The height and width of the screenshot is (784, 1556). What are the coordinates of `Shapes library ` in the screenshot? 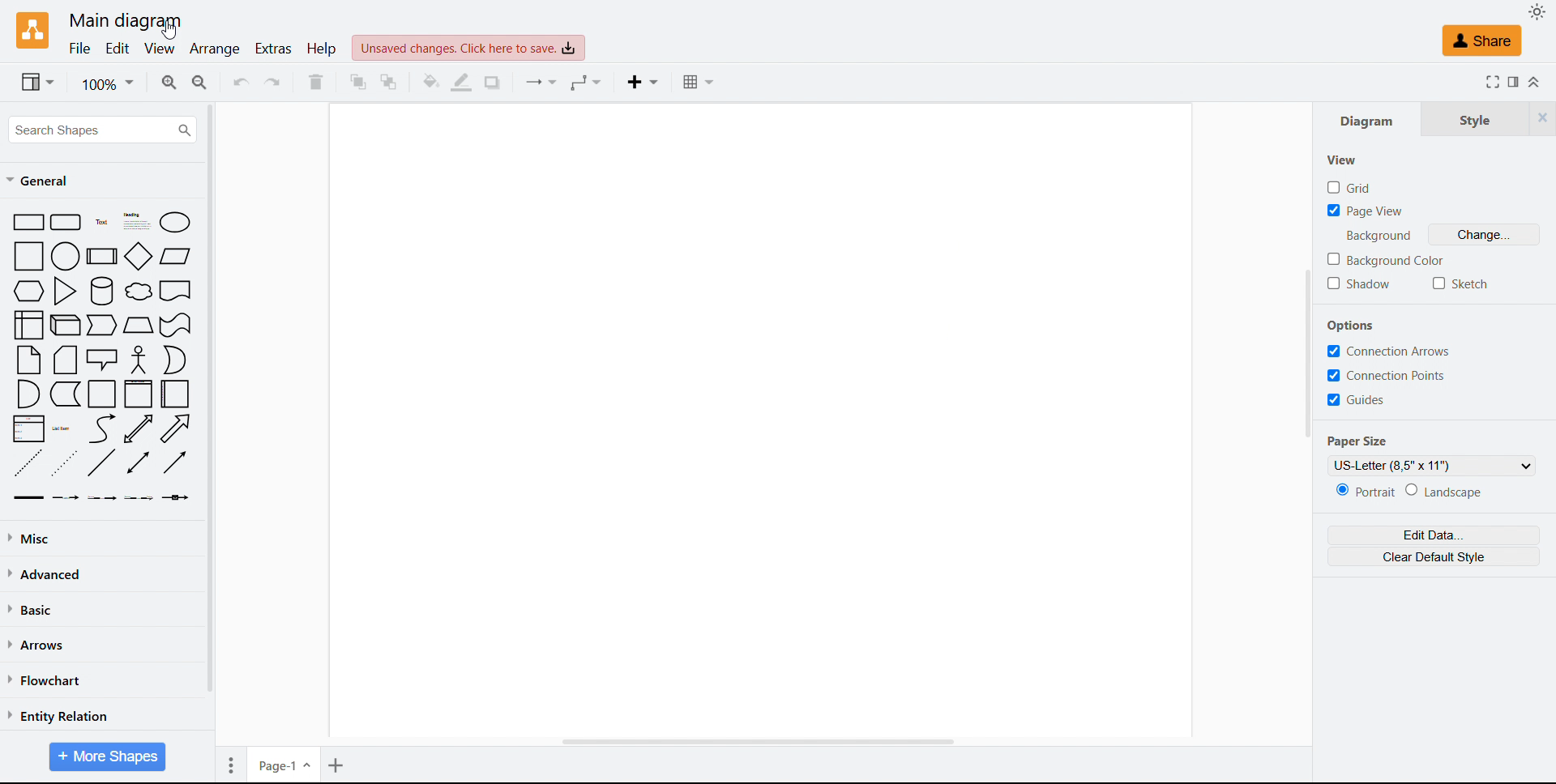 It's located at (103, 357).